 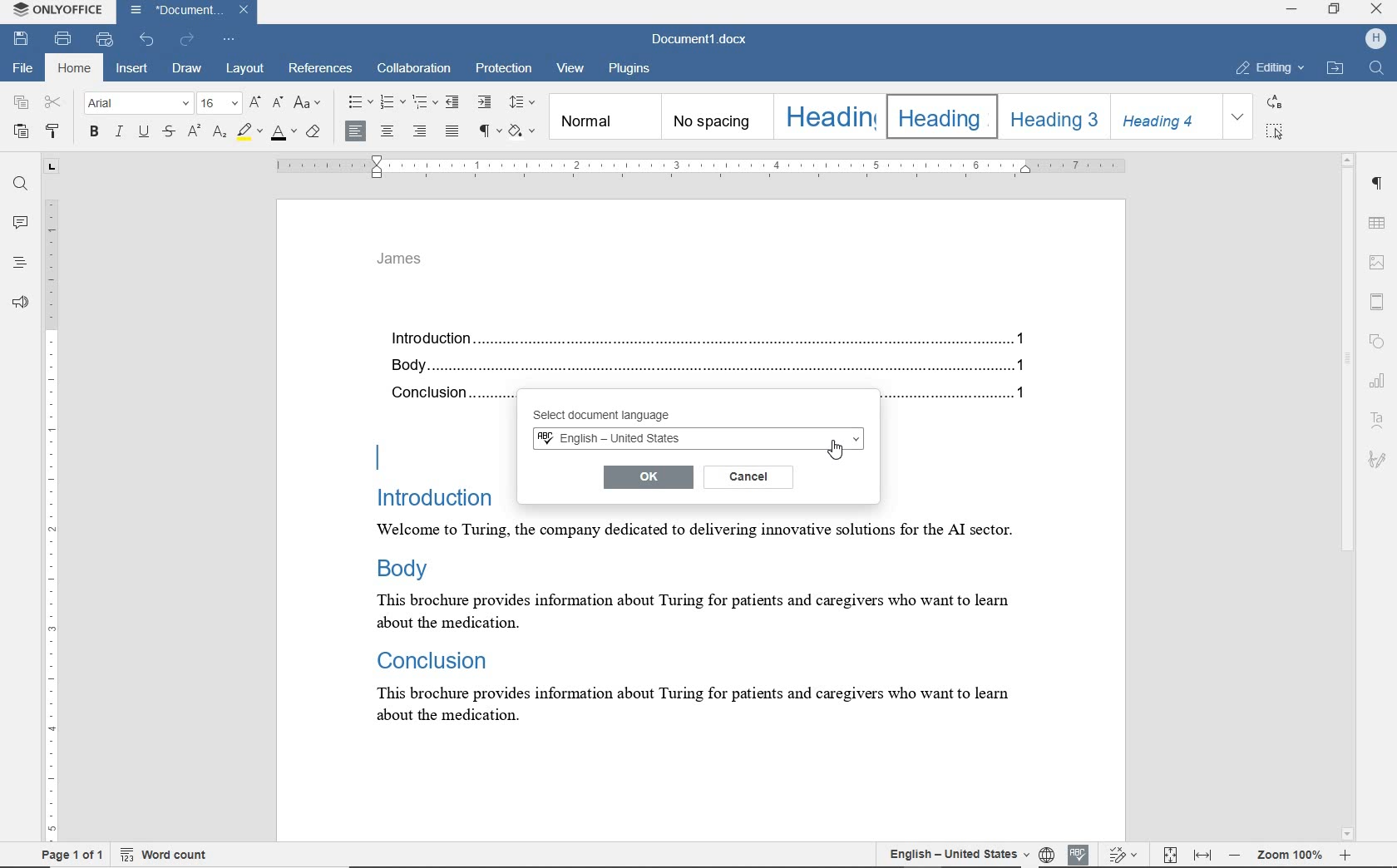 What do you see at coordinates (193, 131) in the screenshot?
I see `superscript` at bounding box center [193, 131].